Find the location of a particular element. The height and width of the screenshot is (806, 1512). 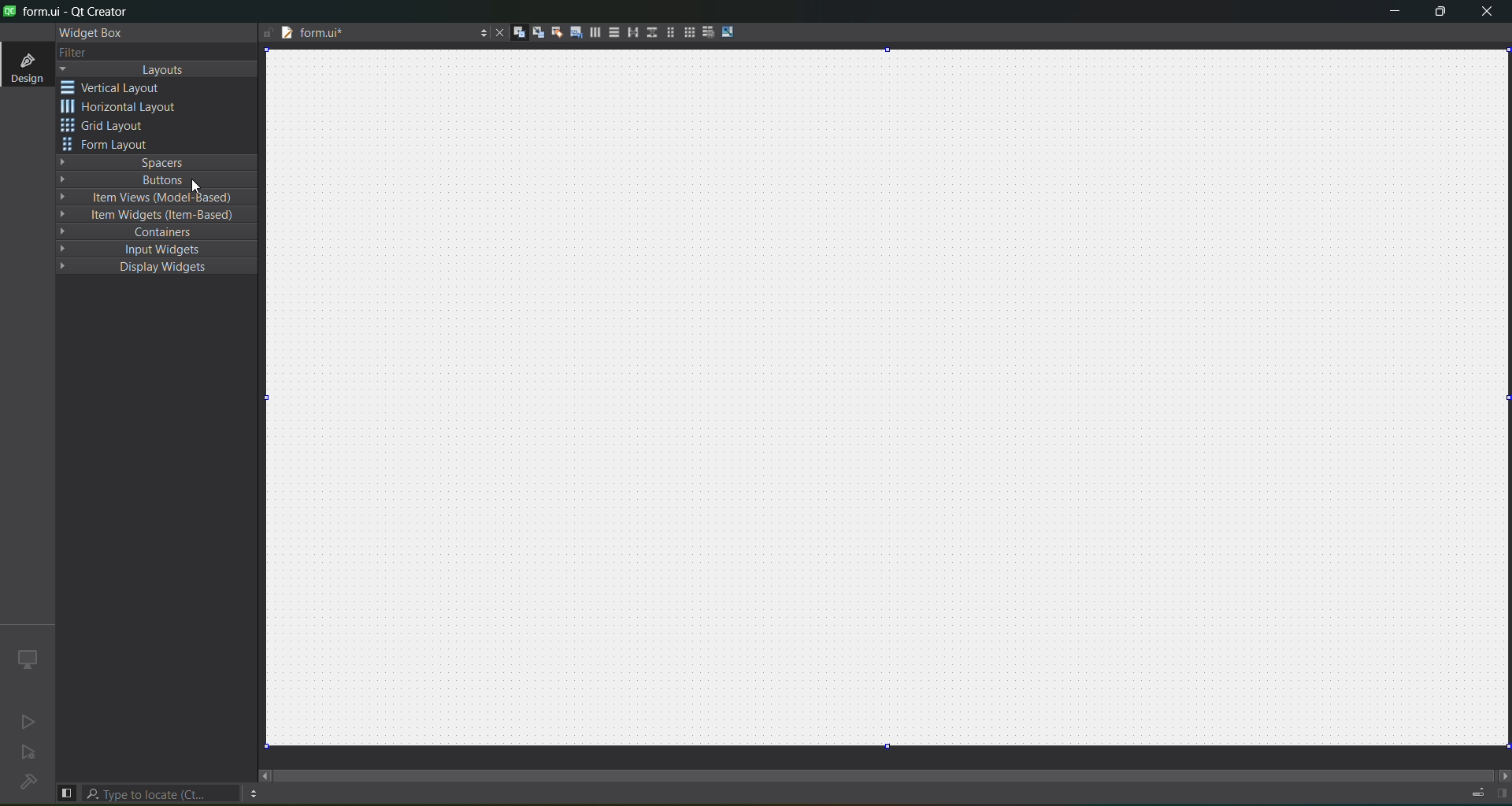

widget box is located at coordinates (88, 32).